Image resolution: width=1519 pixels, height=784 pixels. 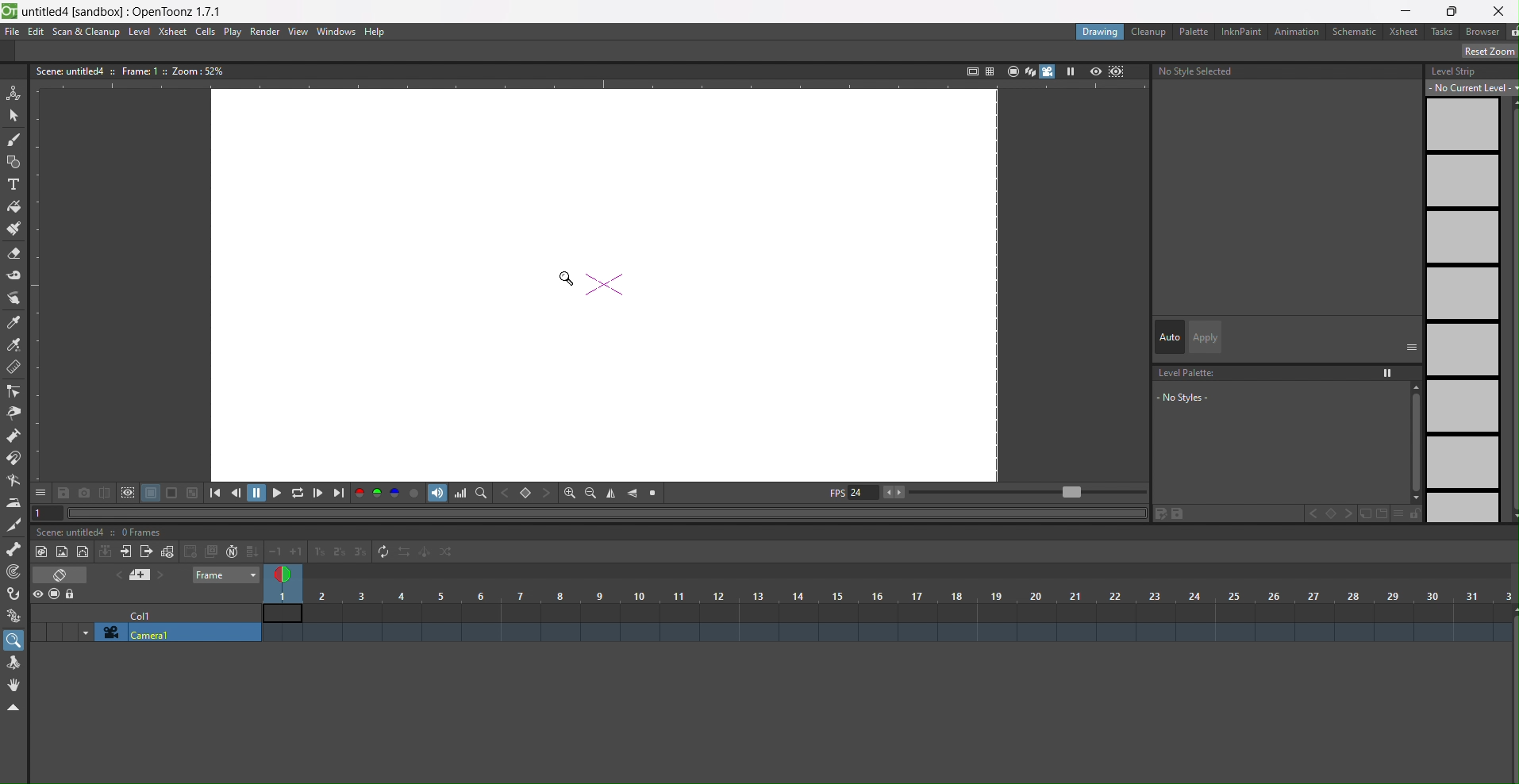 What do you see at coordinates (13, 229) in the screenshot?
I see `paint brush tool` at bounding box center [13, 229].